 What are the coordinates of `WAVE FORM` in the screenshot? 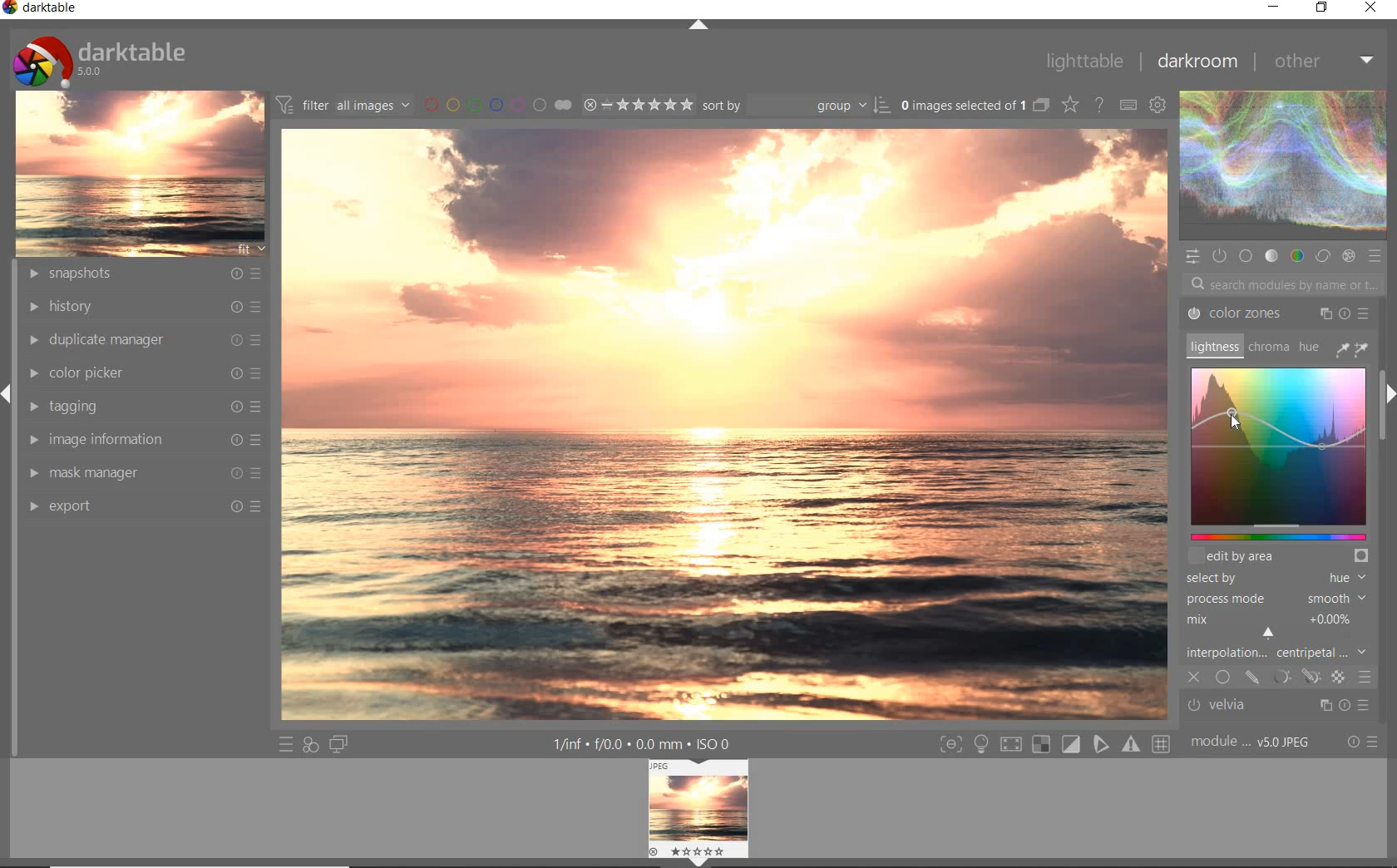 It's located at (1281, 168).